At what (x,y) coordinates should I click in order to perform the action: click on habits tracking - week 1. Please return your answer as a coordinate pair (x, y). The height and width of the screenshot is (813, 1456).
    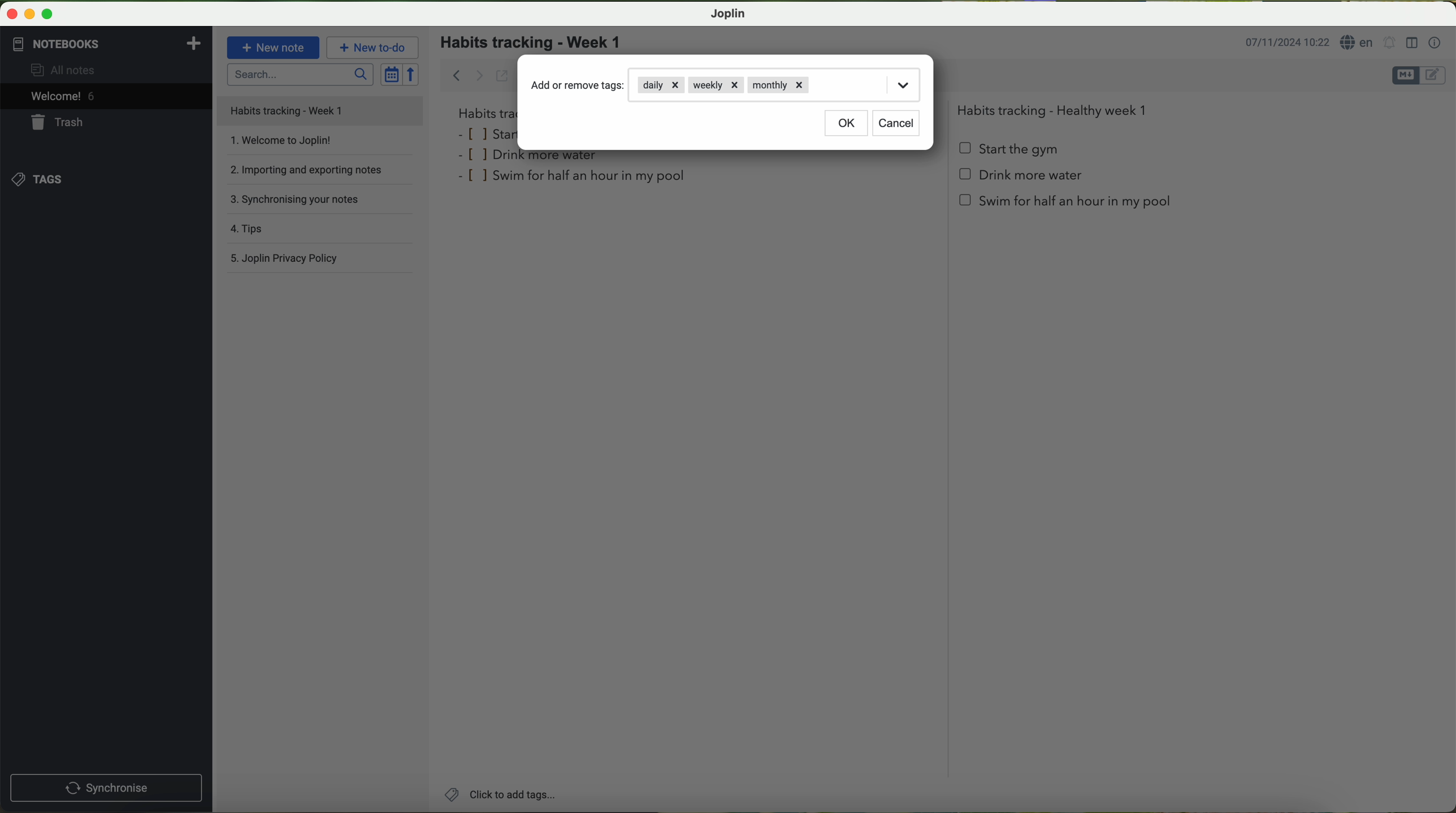
    Looking at the image, I should click on (538, 43).